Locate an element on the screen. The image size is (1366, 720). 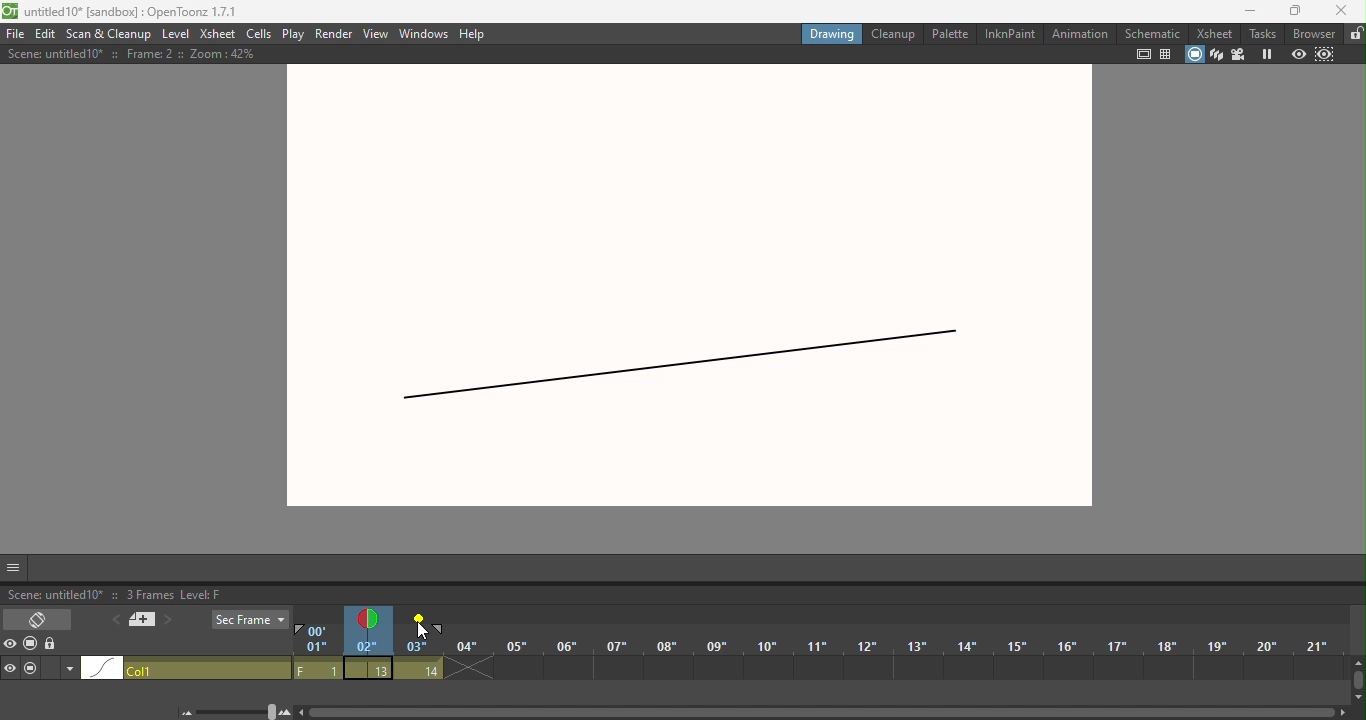
maximize is located at coordinates (1296, 11).